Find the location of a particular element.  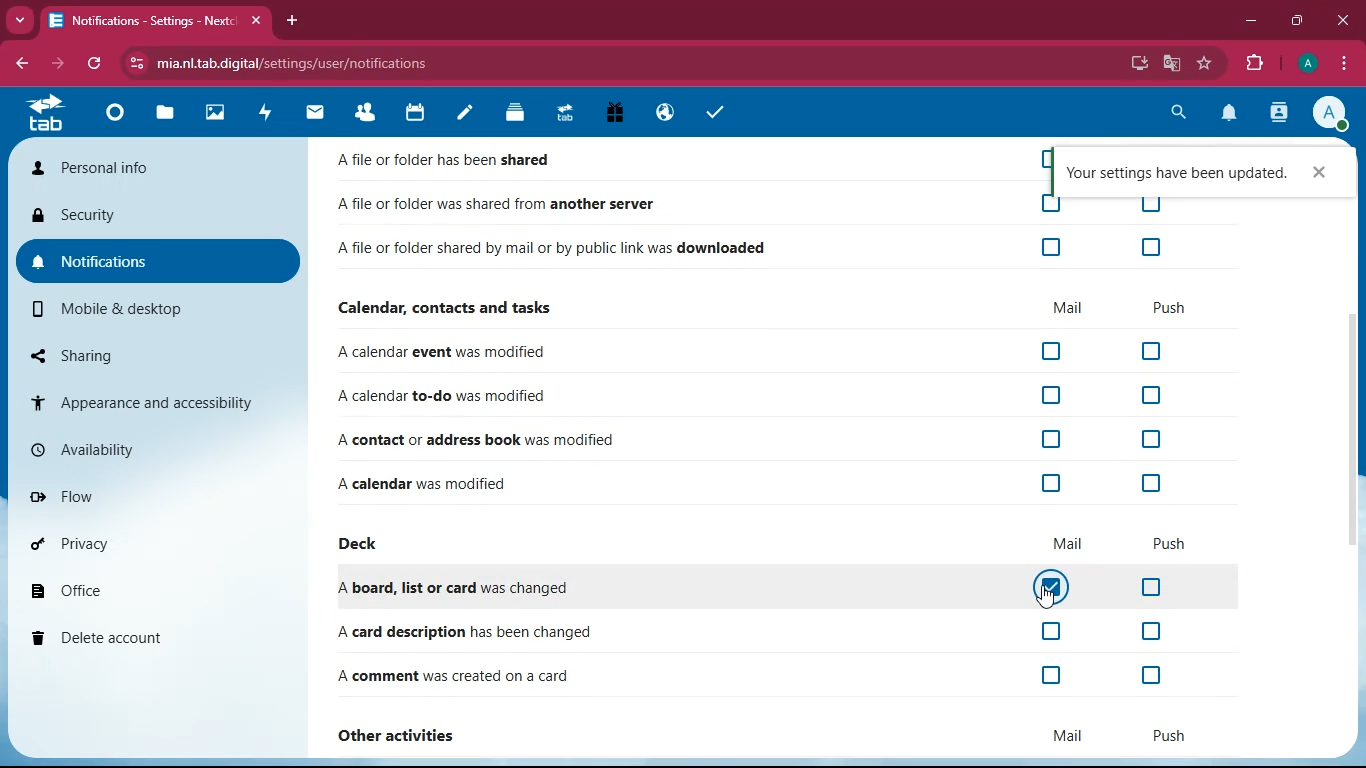

off is located at coordinates (1051, 246).